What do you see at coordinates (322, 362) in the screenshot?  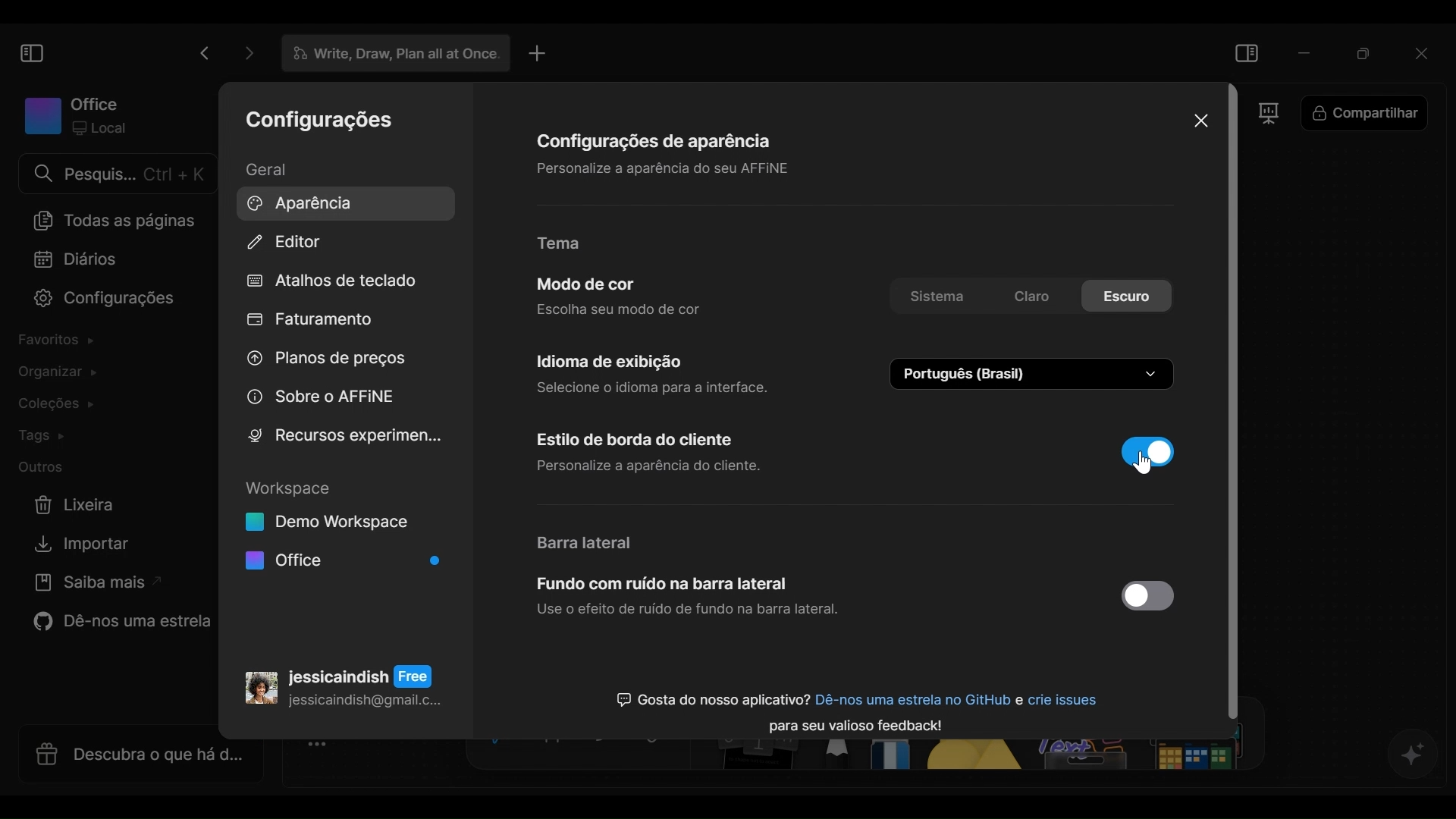 I see `Pricing plans` at bounding box center [322, 362].